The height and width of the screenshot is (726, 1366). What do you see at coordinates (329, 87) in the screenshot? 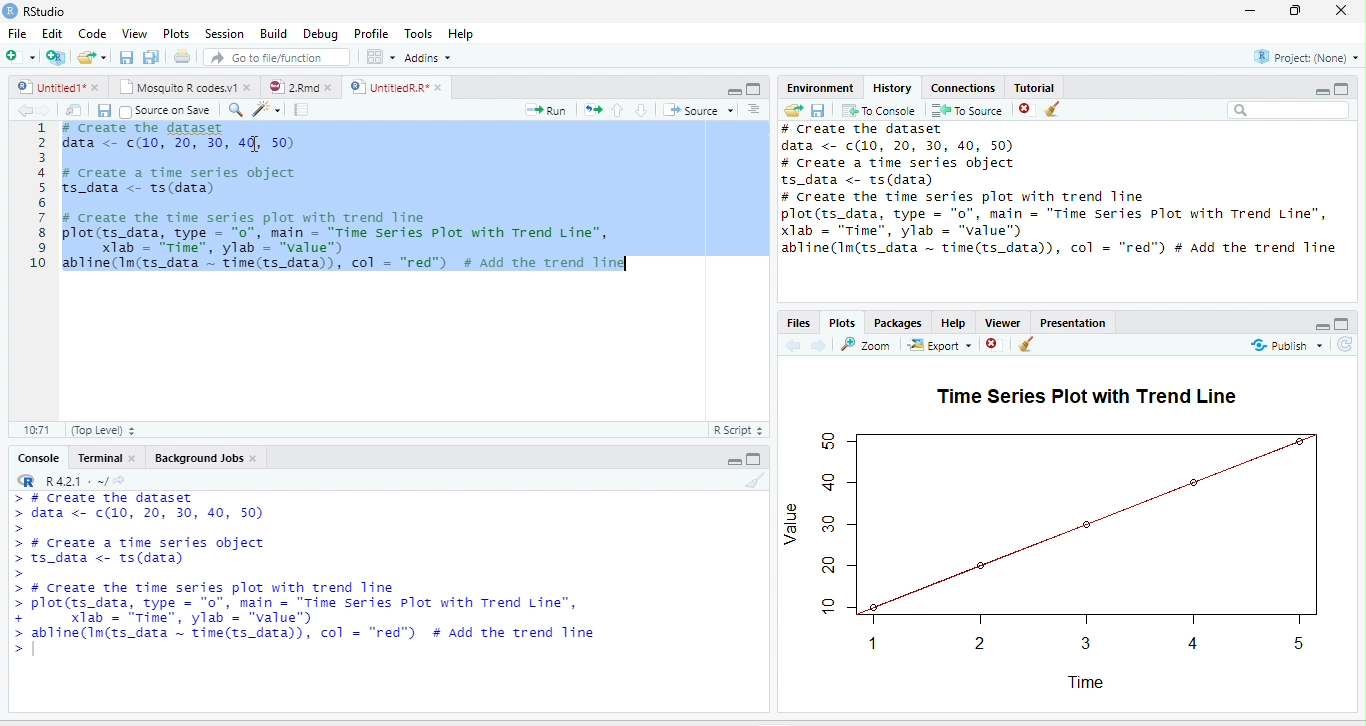
I see `close` at bounding box center [329, 87].